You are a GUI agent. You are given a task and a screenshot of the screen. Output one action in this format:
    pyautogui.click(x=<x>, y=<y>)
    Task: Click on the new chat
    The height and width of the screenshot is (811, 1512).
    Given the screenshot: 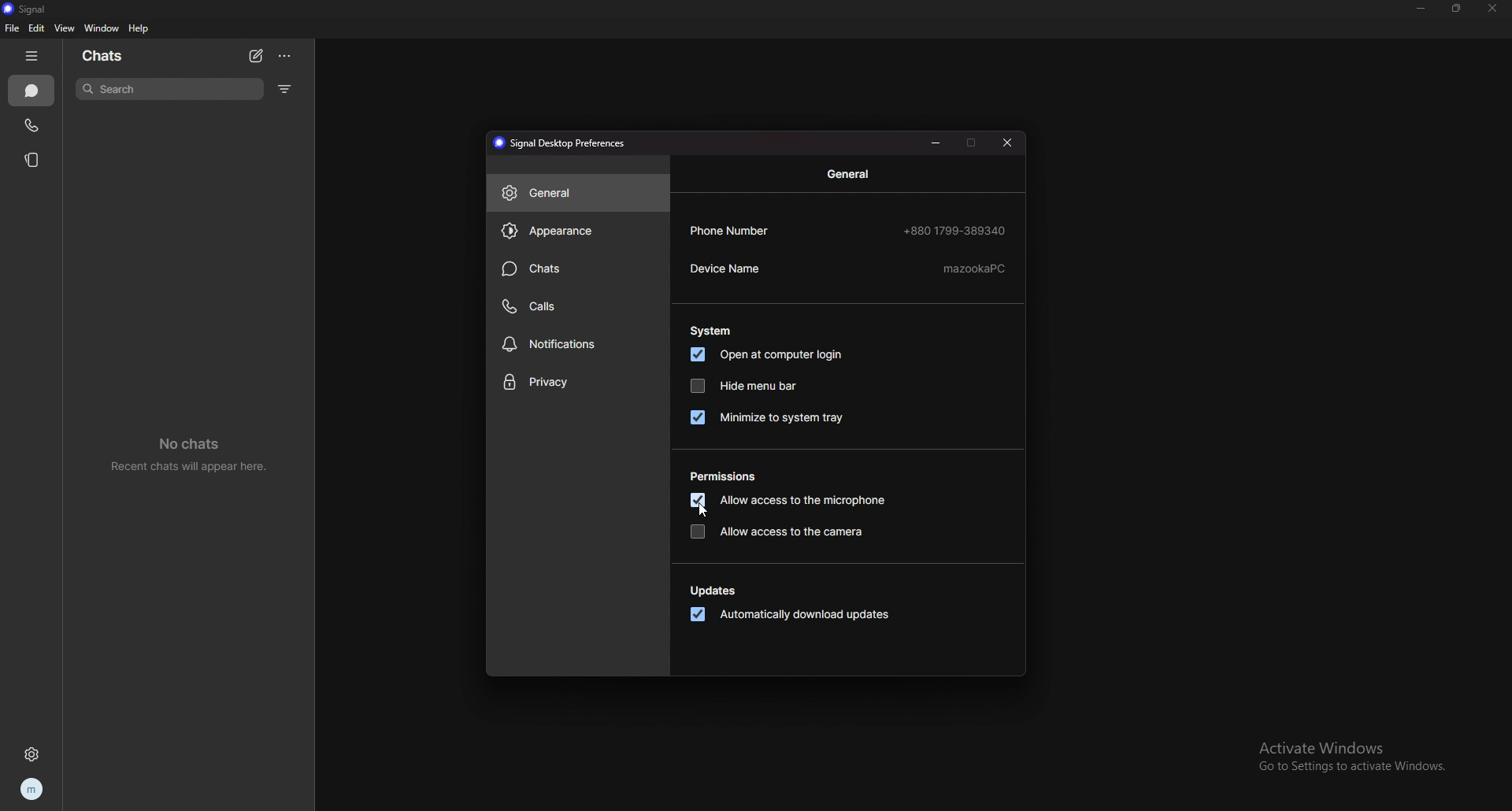 What is the action you would take?
    pyautogui.click(x=256, y=56)
    